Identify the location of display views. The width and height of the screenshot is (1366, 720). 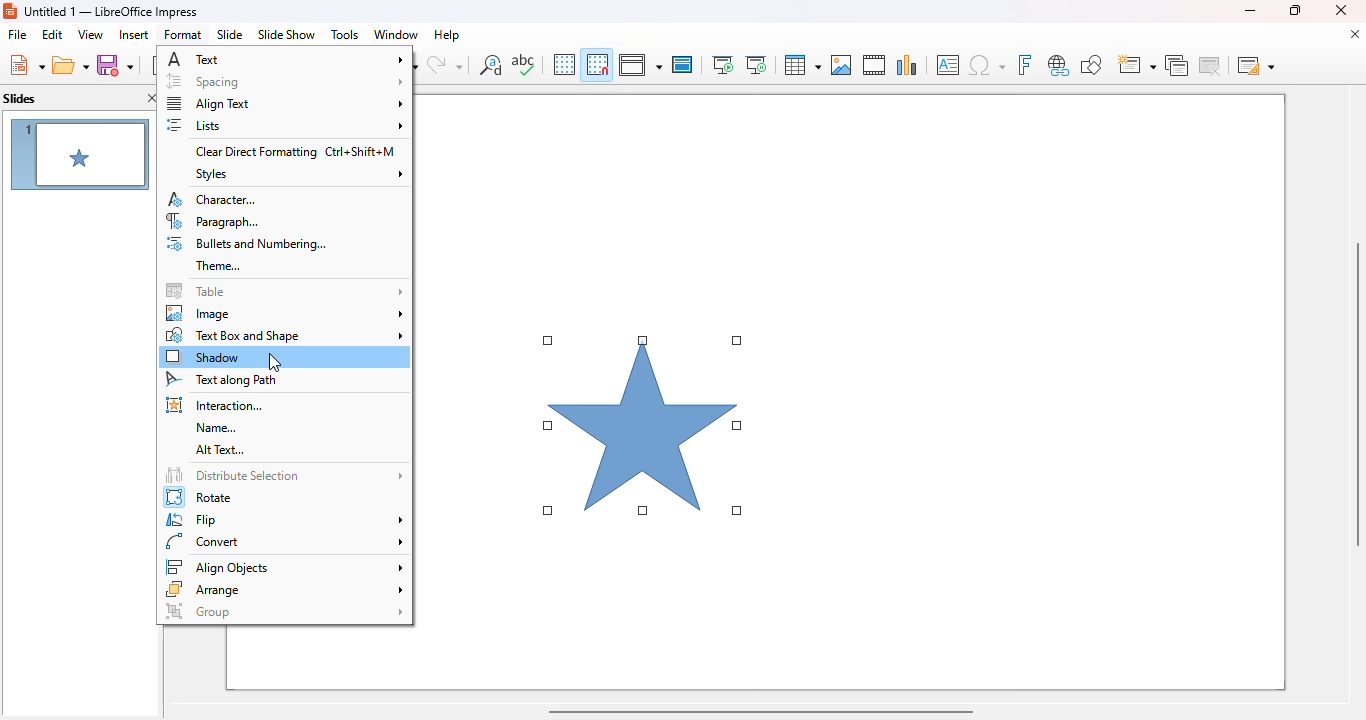
(640, 65).